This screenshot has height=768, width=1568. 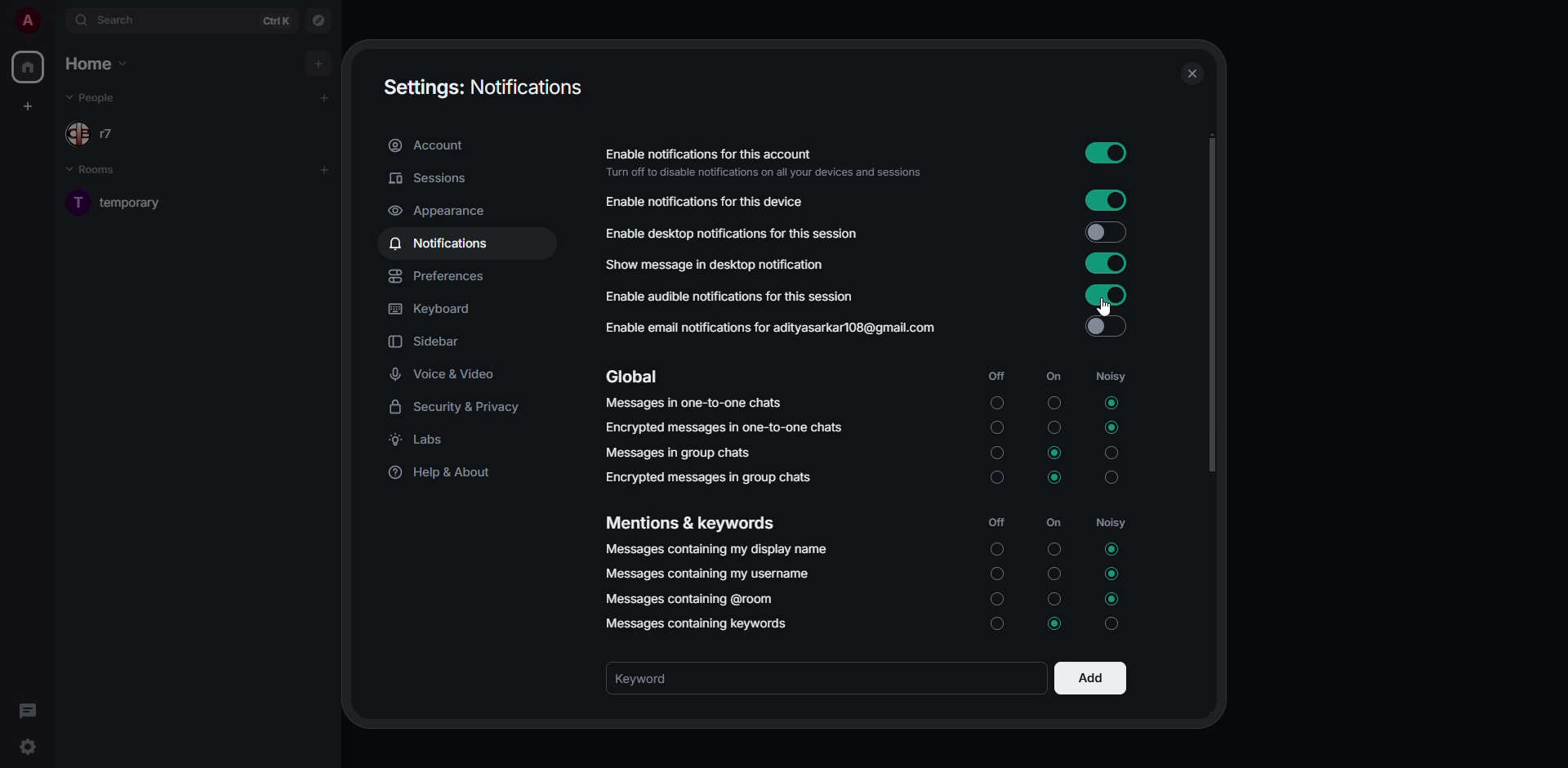 What do you see at coordinates (1053, 598) in the screenshot?
I see `On Unselected` at bounding box center [1053, 598].